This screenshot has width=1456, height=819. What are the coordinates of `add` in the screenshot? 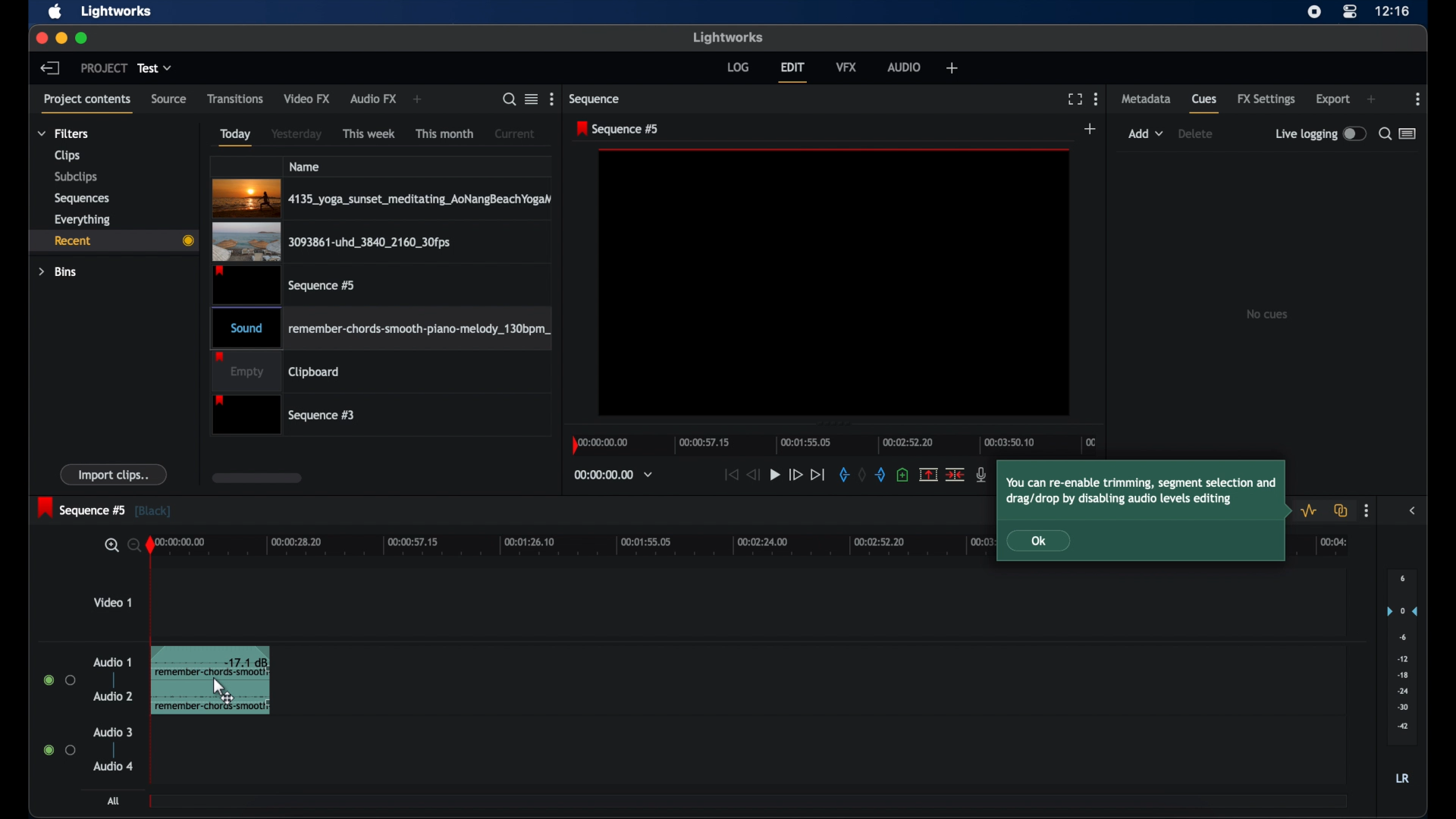 It's located at (1371, 99).